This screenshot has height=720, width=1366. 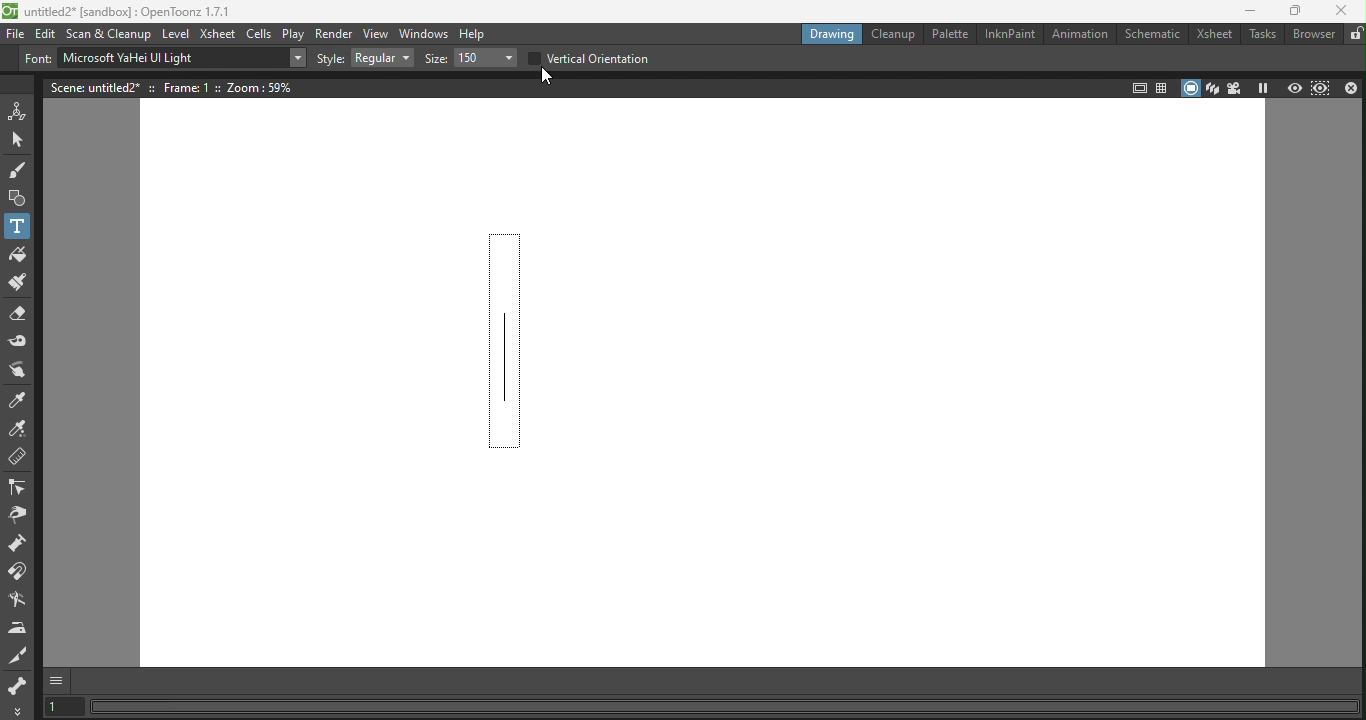 What do you see at coordinates (726, 705) in the screenshot?
I see `Status bar` at bounding box center [726, 705].